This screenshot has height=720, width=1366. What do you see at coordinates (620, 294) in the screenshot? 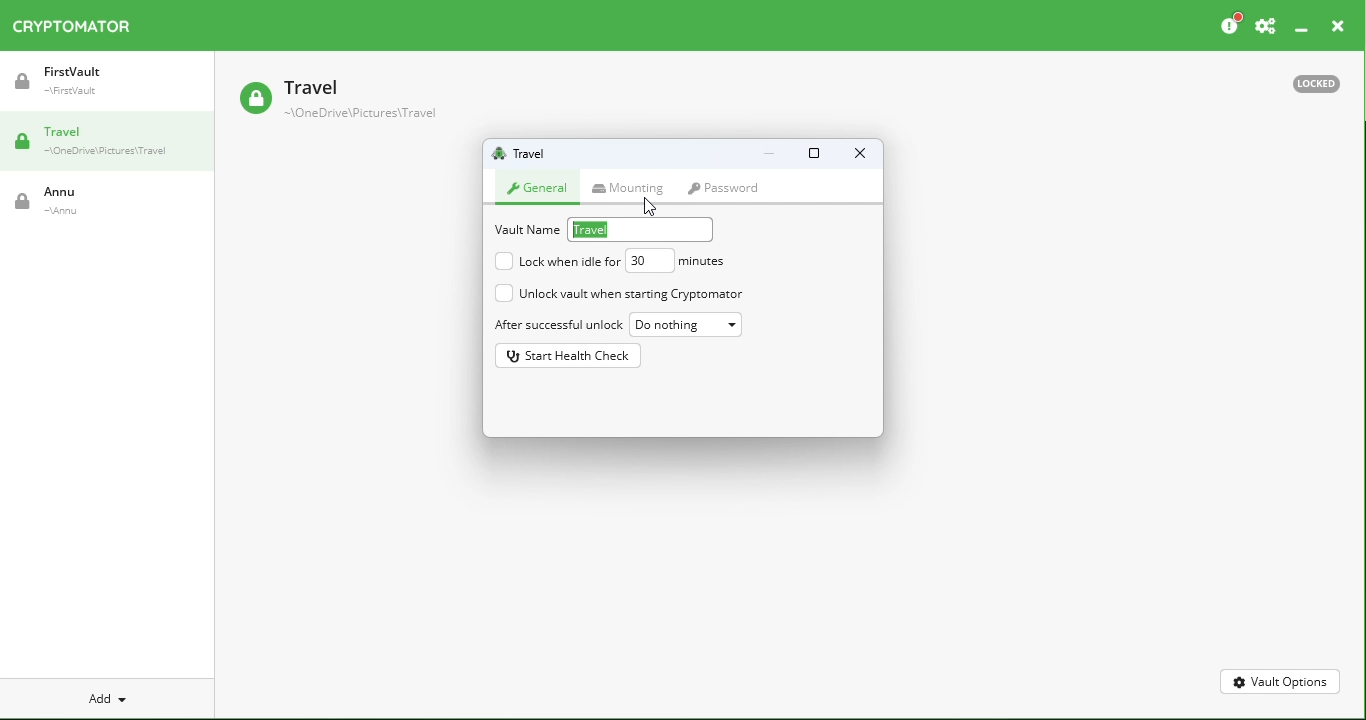
I see `Unlock vault when starting Cryptomator` at bounding box center [620, 294].